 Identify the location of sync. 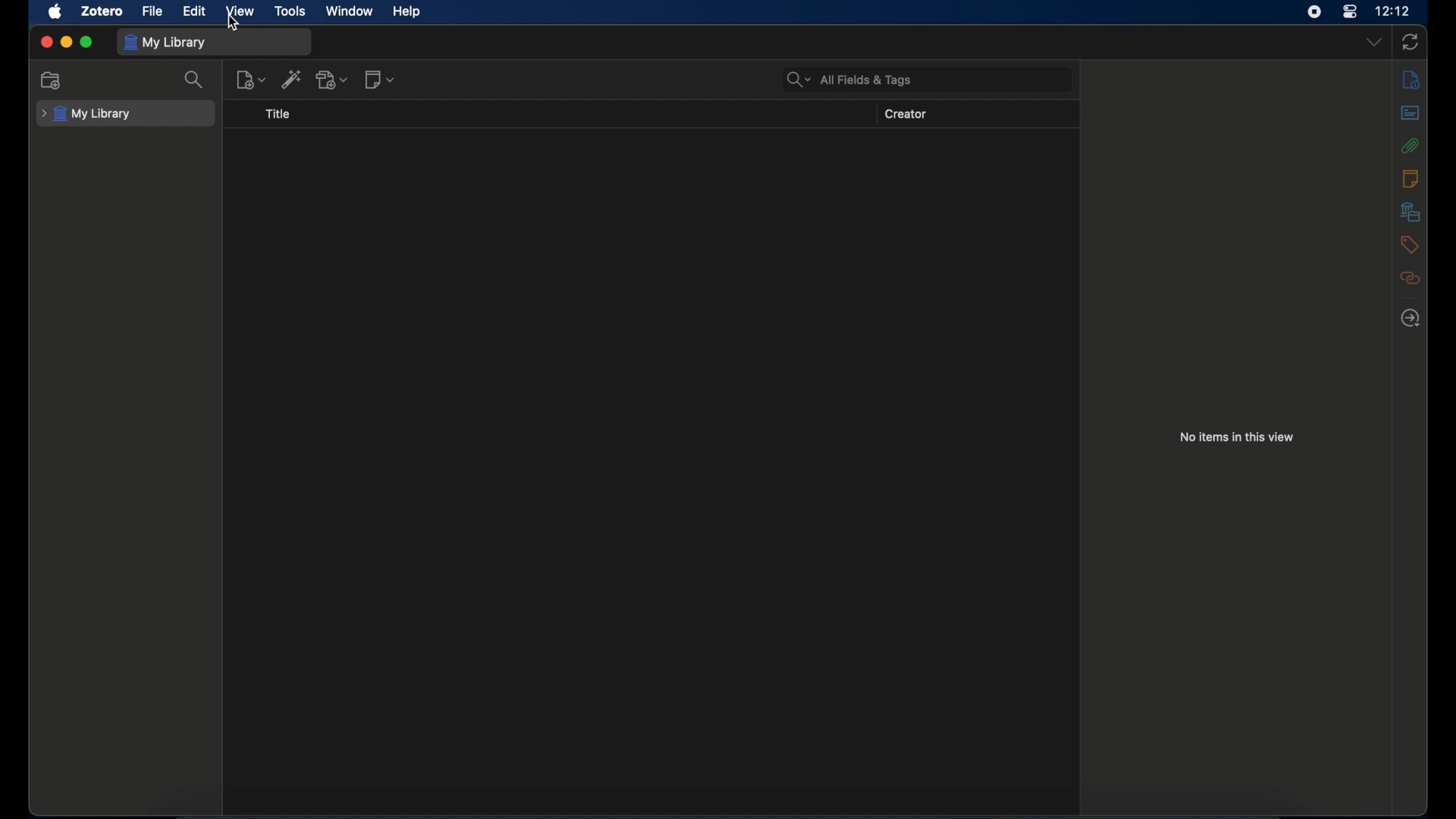
(1410, 42).